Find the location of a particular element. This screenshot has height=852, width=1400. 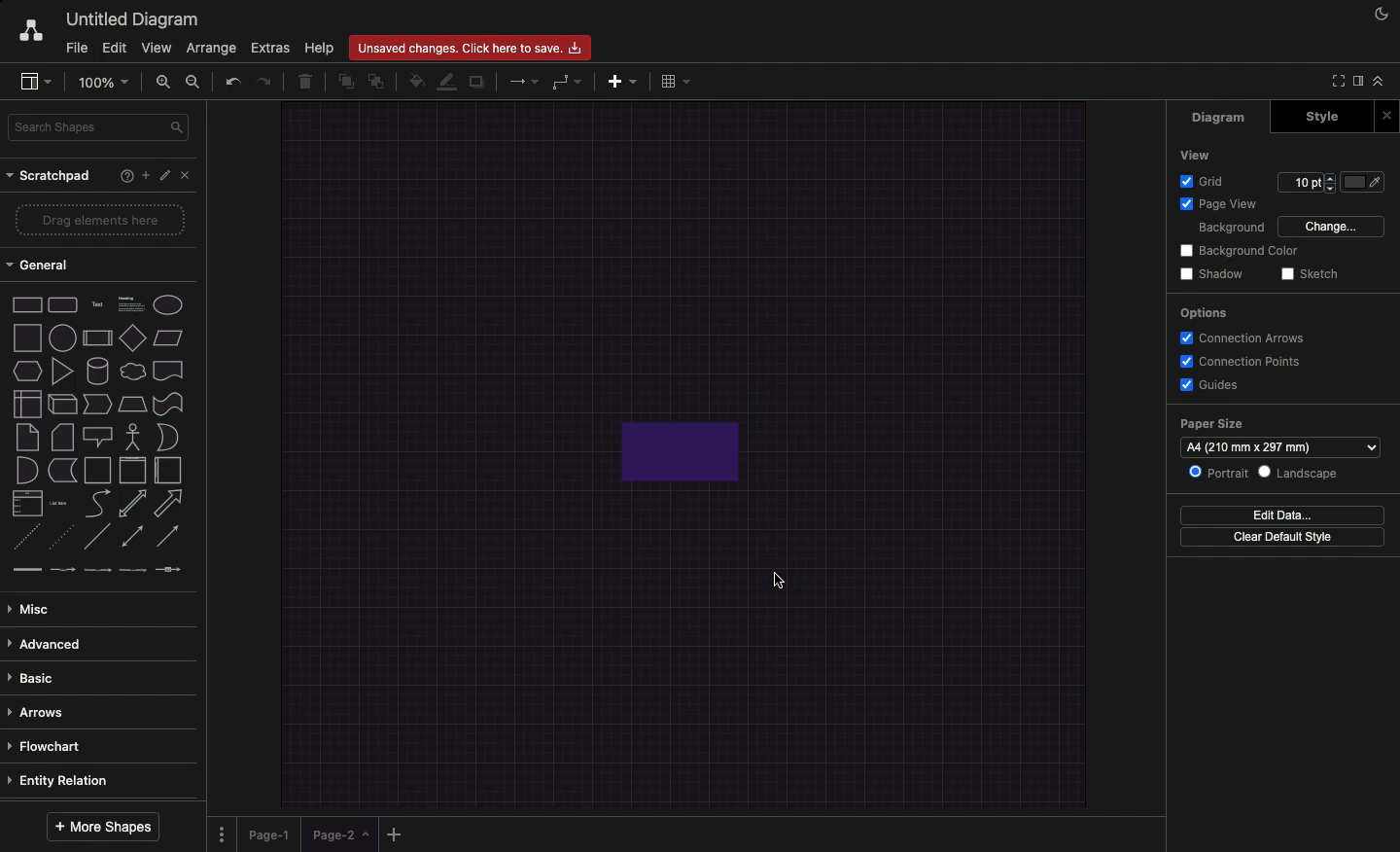

Zoom is located at coordinates (108, 81).